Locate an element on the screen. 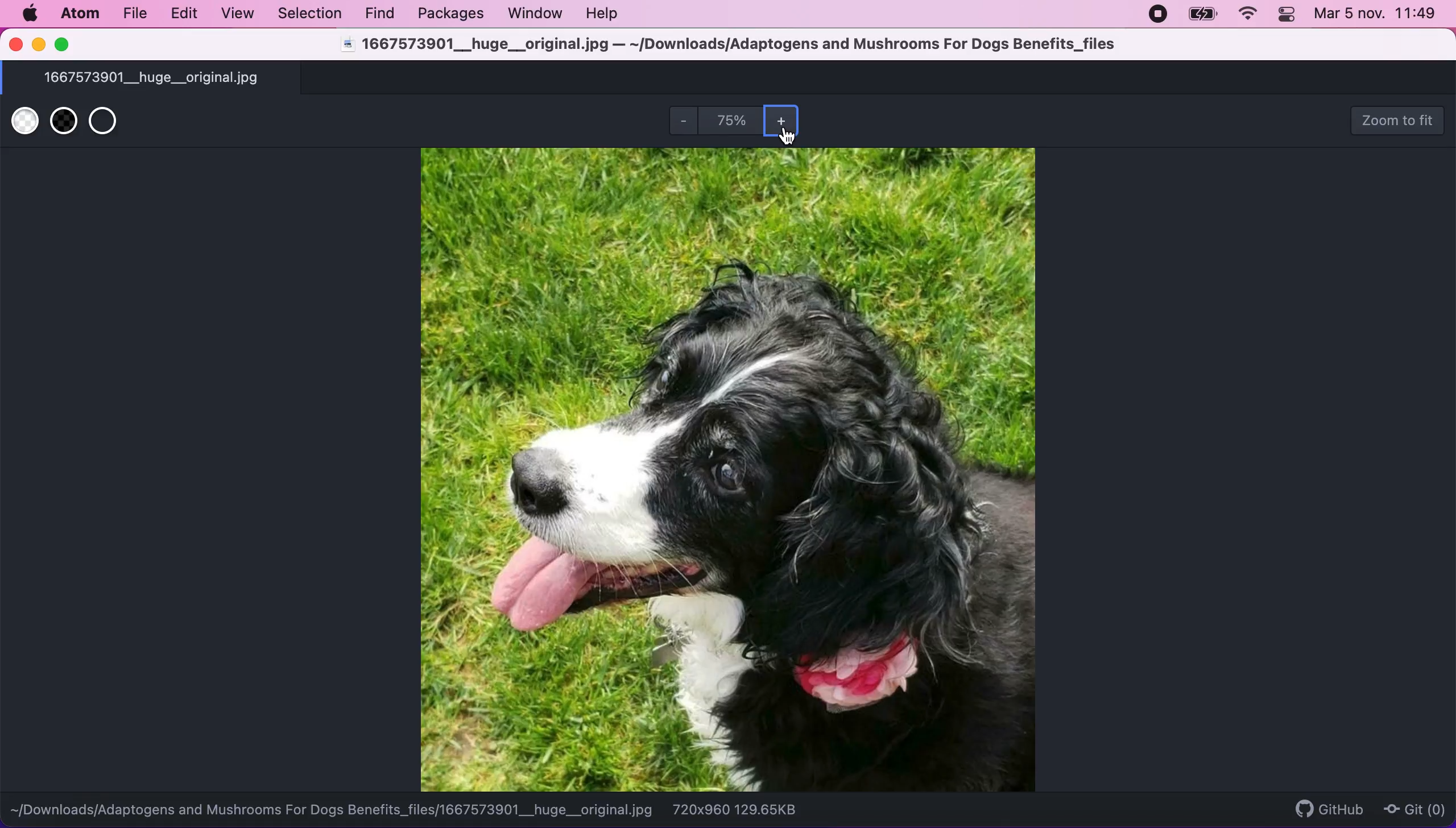 This screenshot has height=828, width=1456. 1667573901_huge_original.jpg is located at coordinates (175, 78).